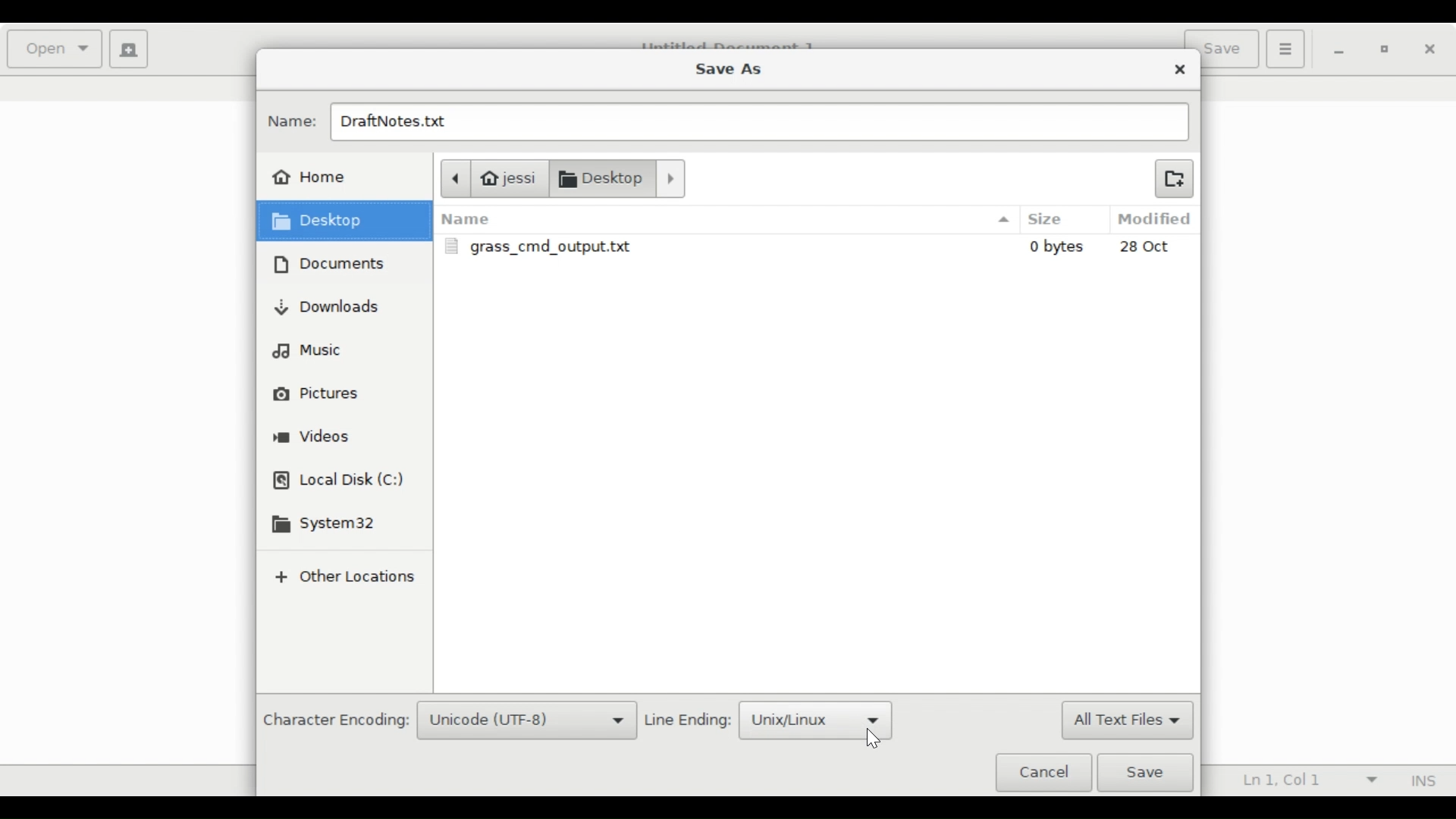  I want to click on Application menu, so click(1285, 48).